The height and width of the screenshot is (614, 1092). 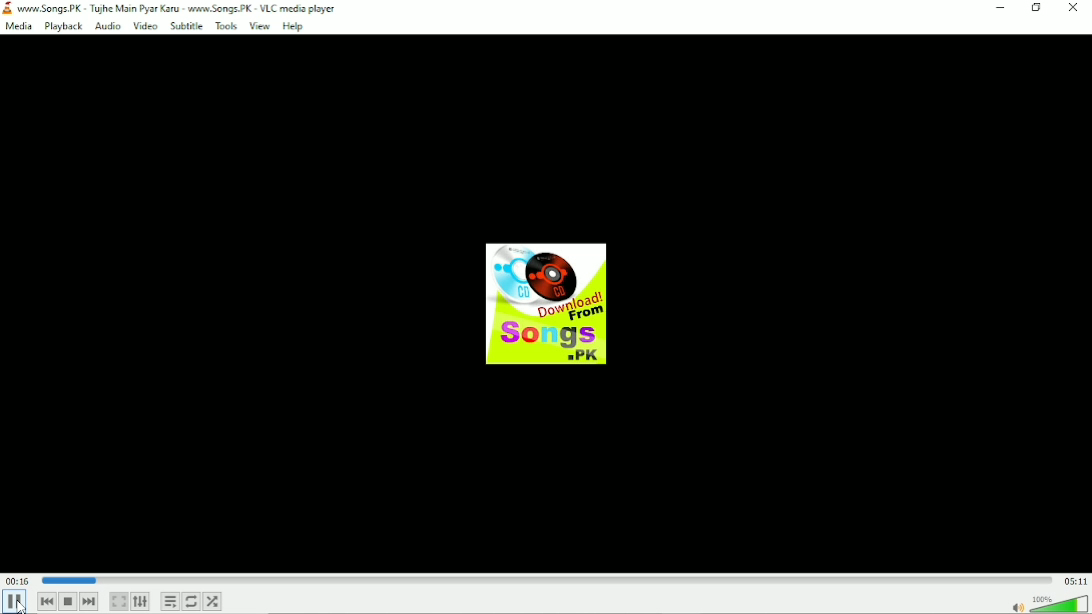 What do you see at coordinates (17, 603) in the screenshot?
I see `Pause` at bounding box center [17, 603].